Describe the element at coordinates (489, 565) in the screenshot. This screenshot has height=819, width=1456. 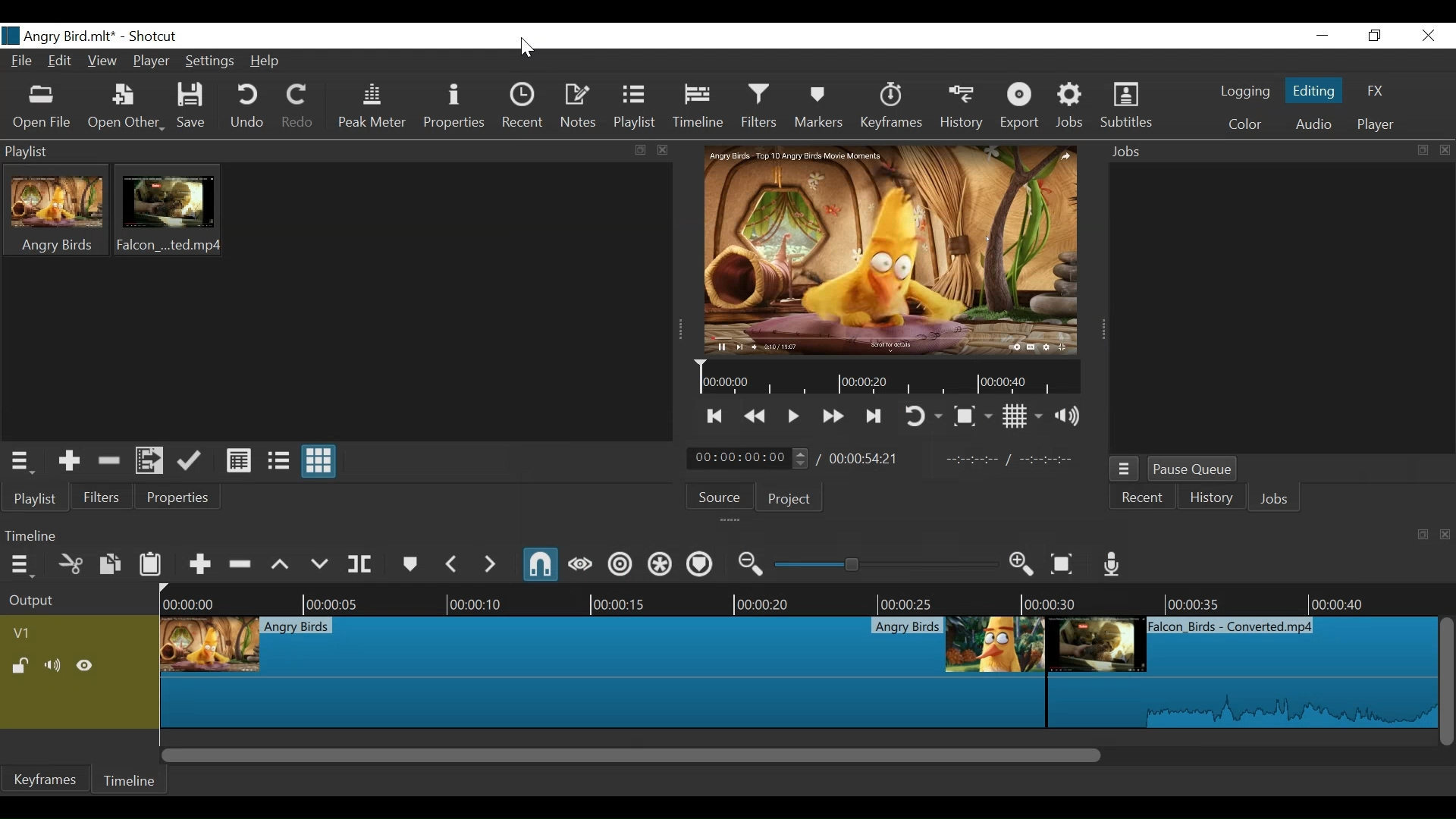
I see `Next Marker` at that location.